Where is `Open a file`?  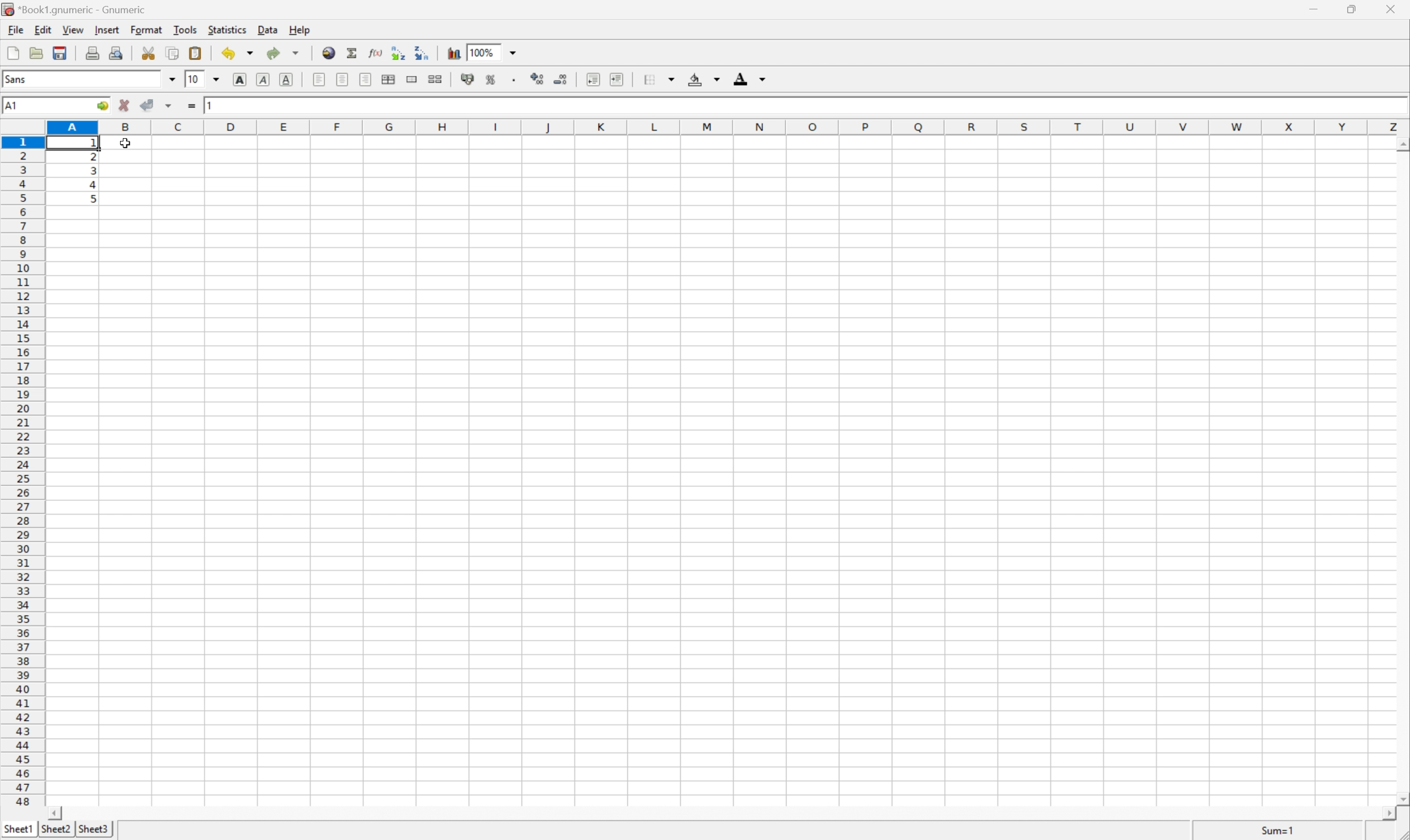 Open a file is located at coordinates (35, 53).